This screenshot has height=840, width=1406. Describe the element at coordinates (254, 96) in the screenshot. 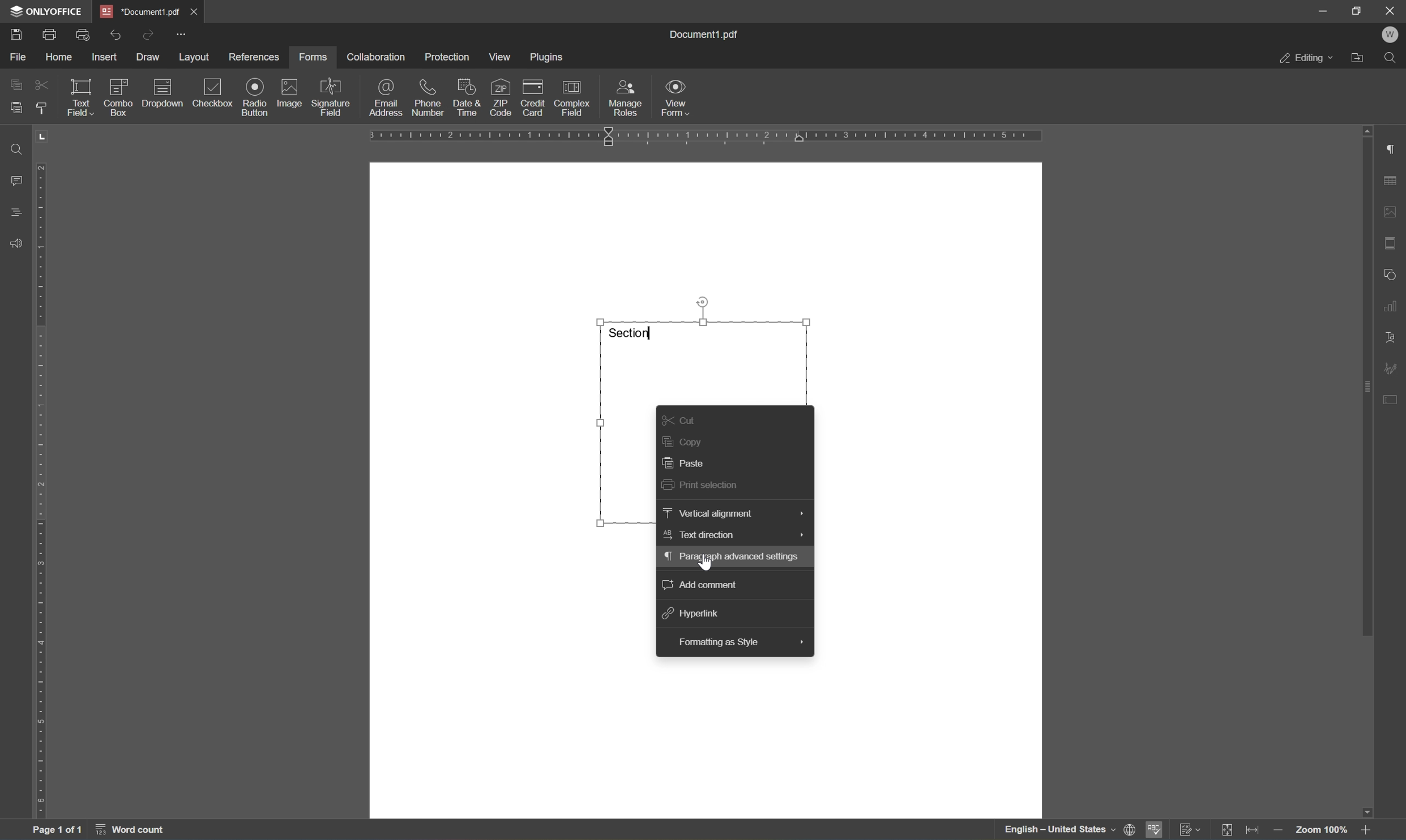

I see `radio button` at that location.